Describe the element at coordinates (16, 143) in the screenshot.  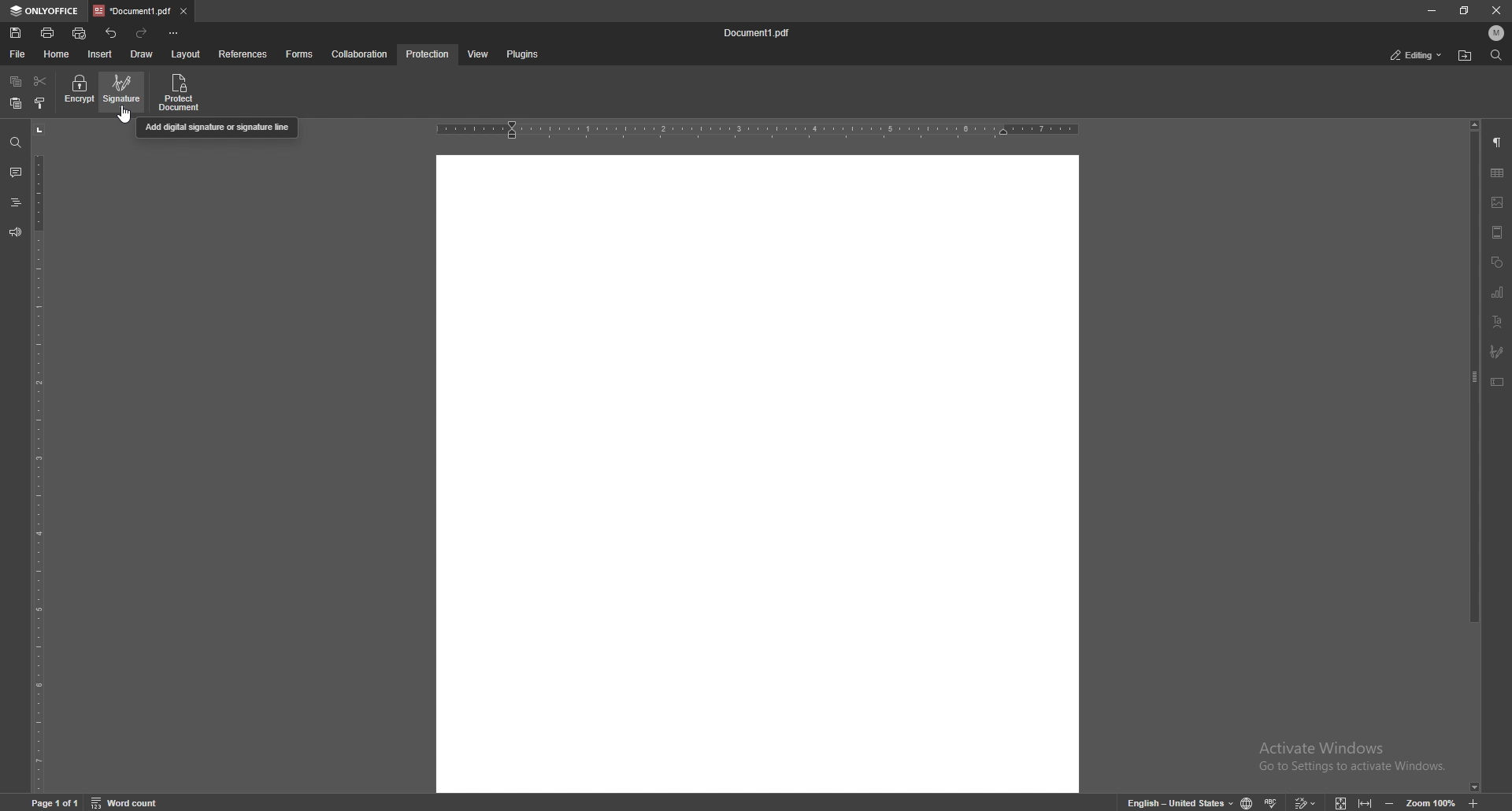
I see `find` at that location.